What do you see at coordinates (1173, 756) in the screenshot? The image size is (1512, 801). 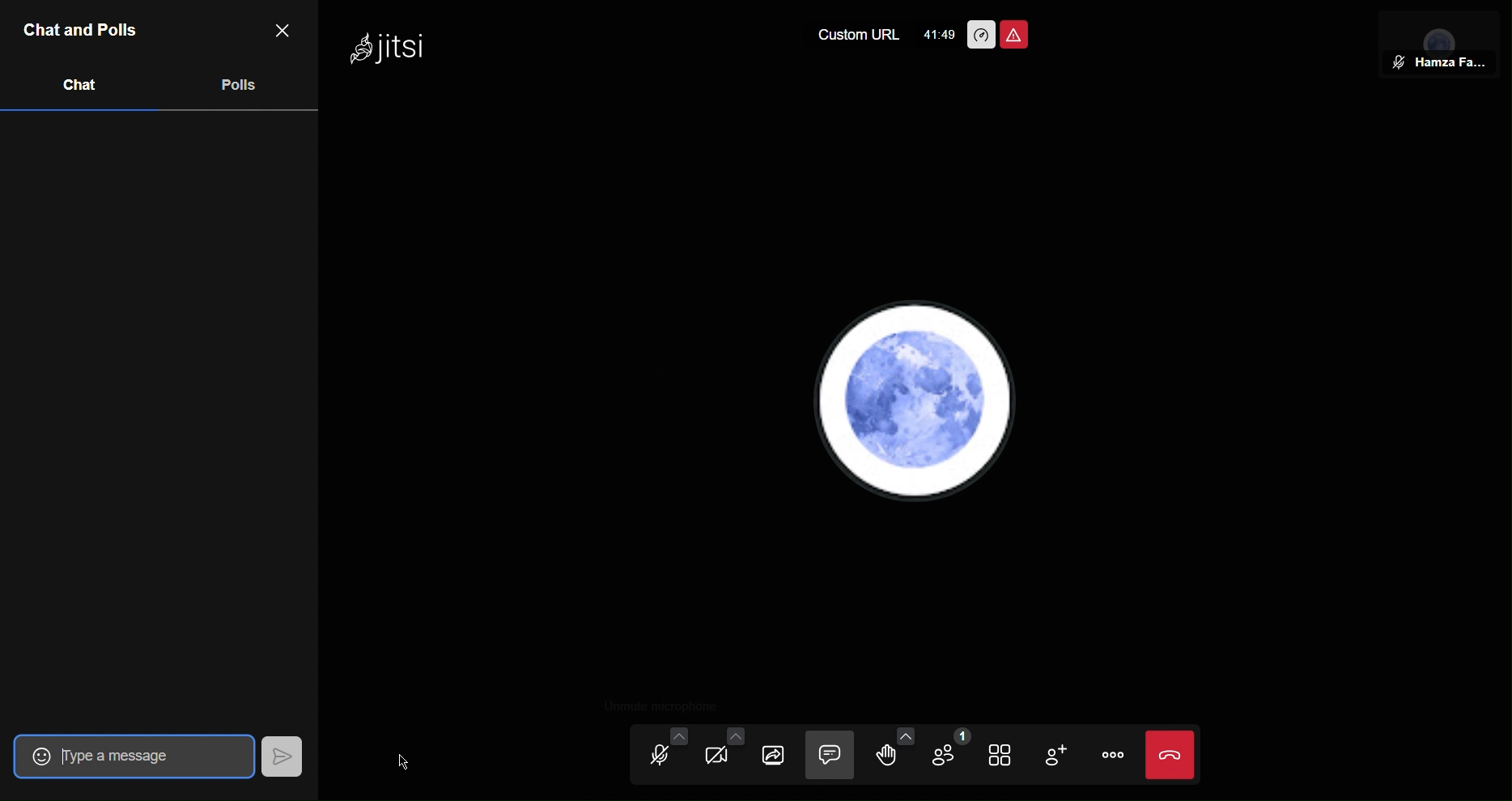 I see `End Call` at bounding box center [1173, 756].